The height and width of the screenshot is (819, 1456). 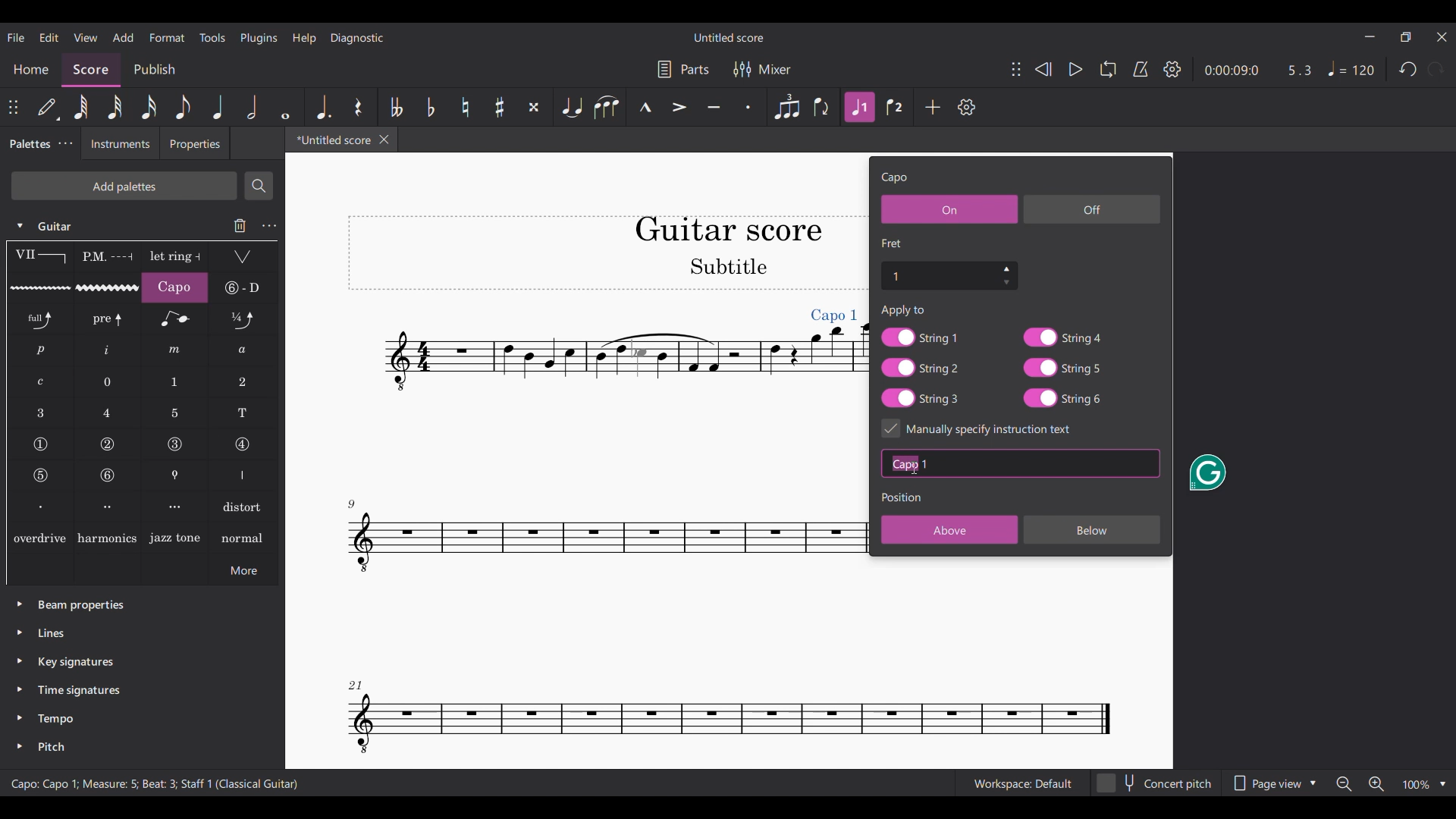 What do you see at coordinates (891, 428) in the screenshot?
I see `Indicates toggle on` at bounding box center [891, 428].